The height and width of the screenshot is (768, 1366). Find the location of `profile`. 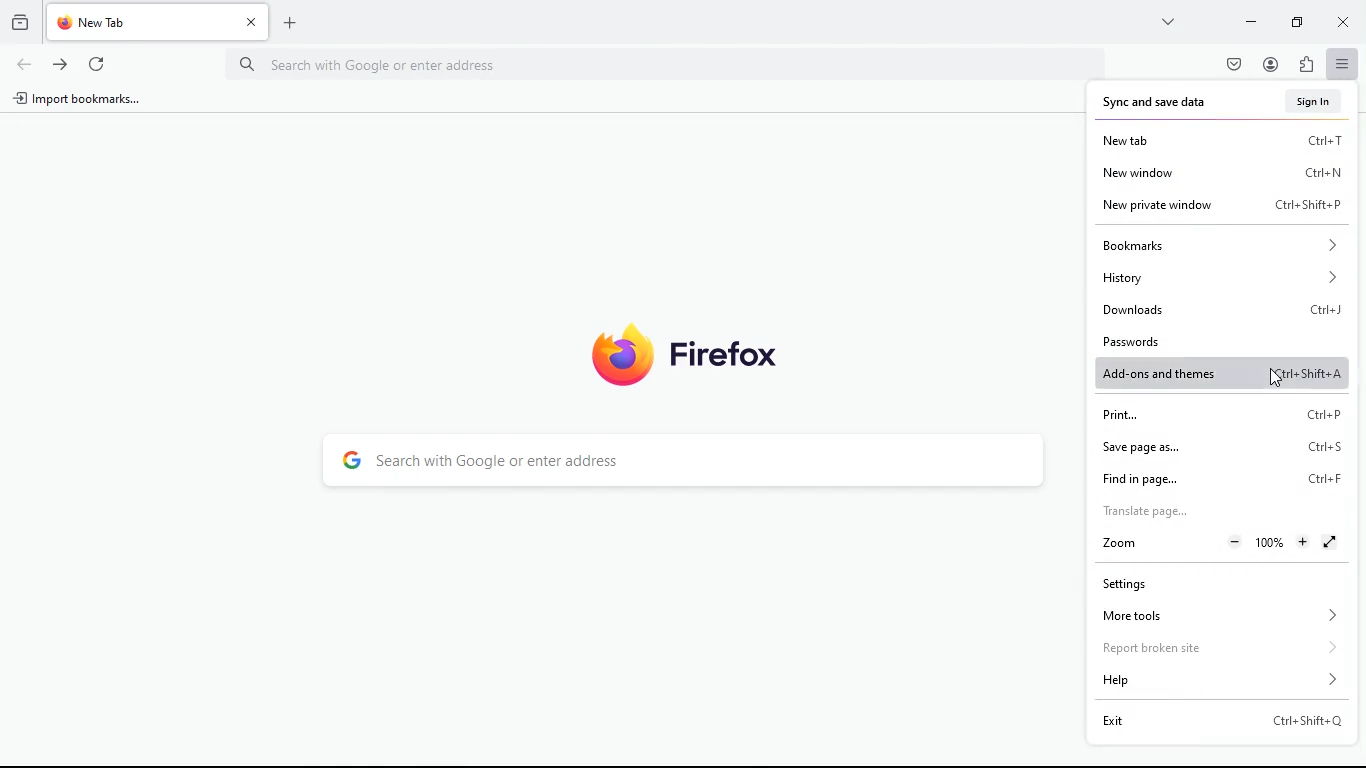

profile is located at coordinates (1268, 65).